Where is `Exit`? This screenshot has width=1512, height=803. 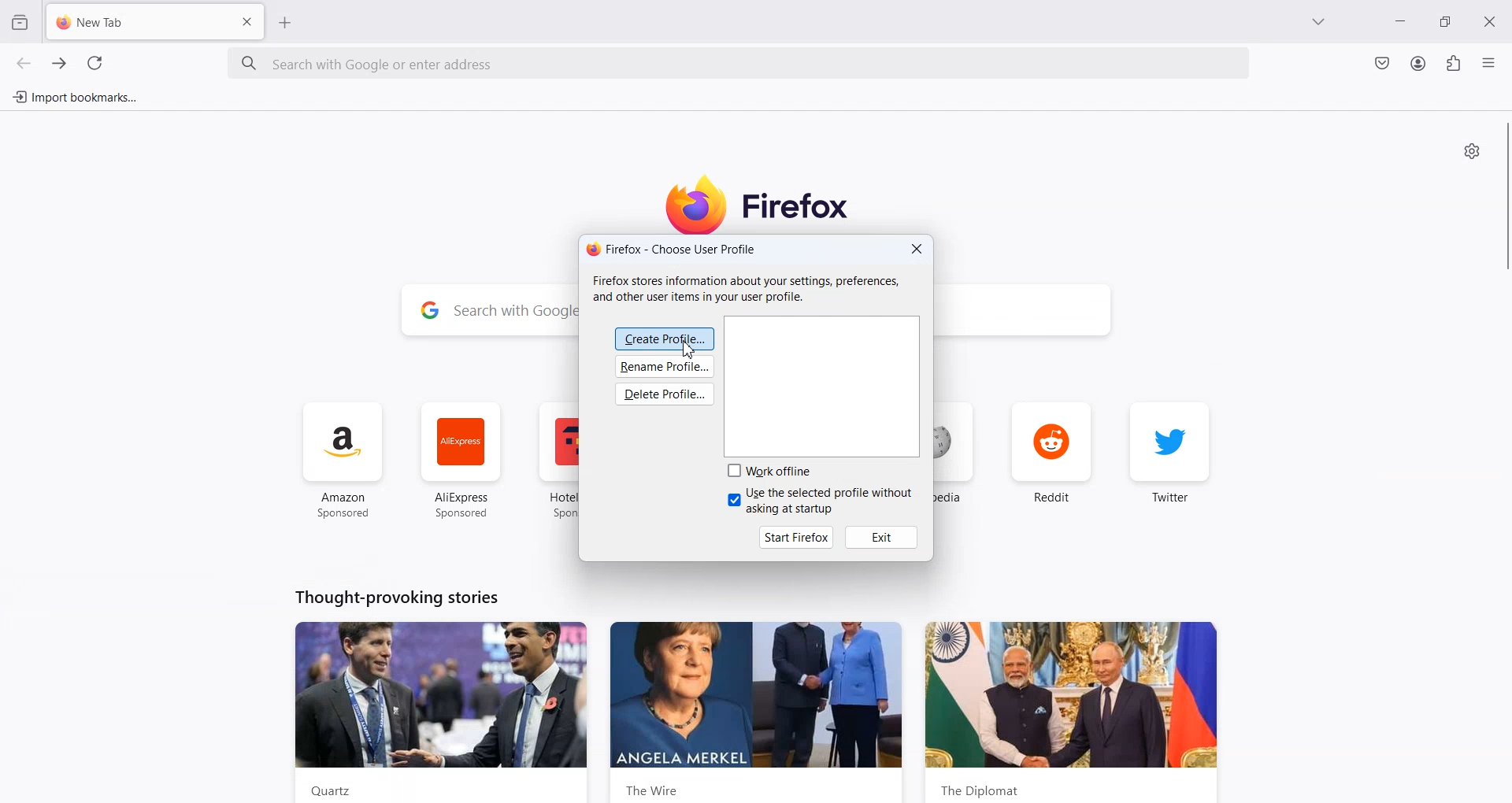 Exit is located at coordinates (883, 537).